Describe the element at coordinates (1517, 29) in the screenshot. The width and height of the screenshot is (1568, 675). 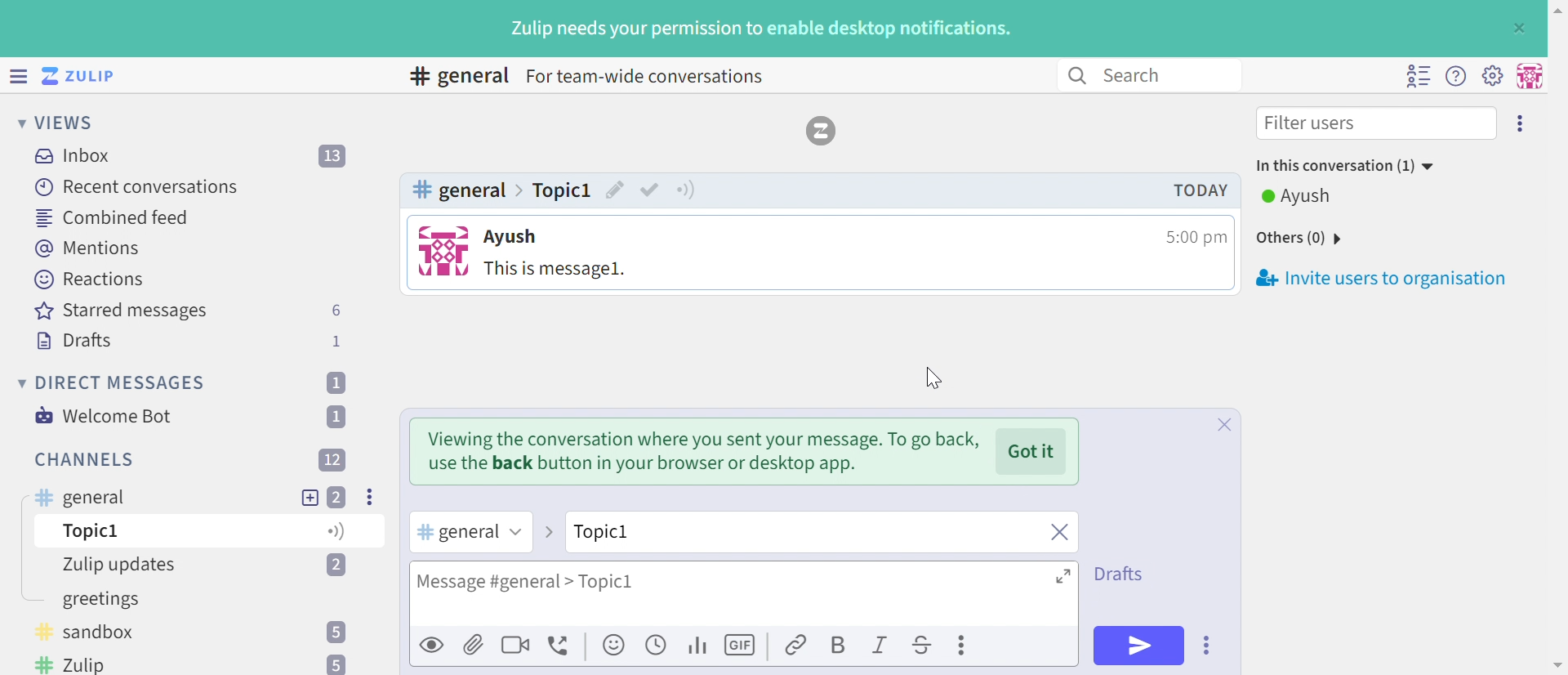
I see `Close` at that location.